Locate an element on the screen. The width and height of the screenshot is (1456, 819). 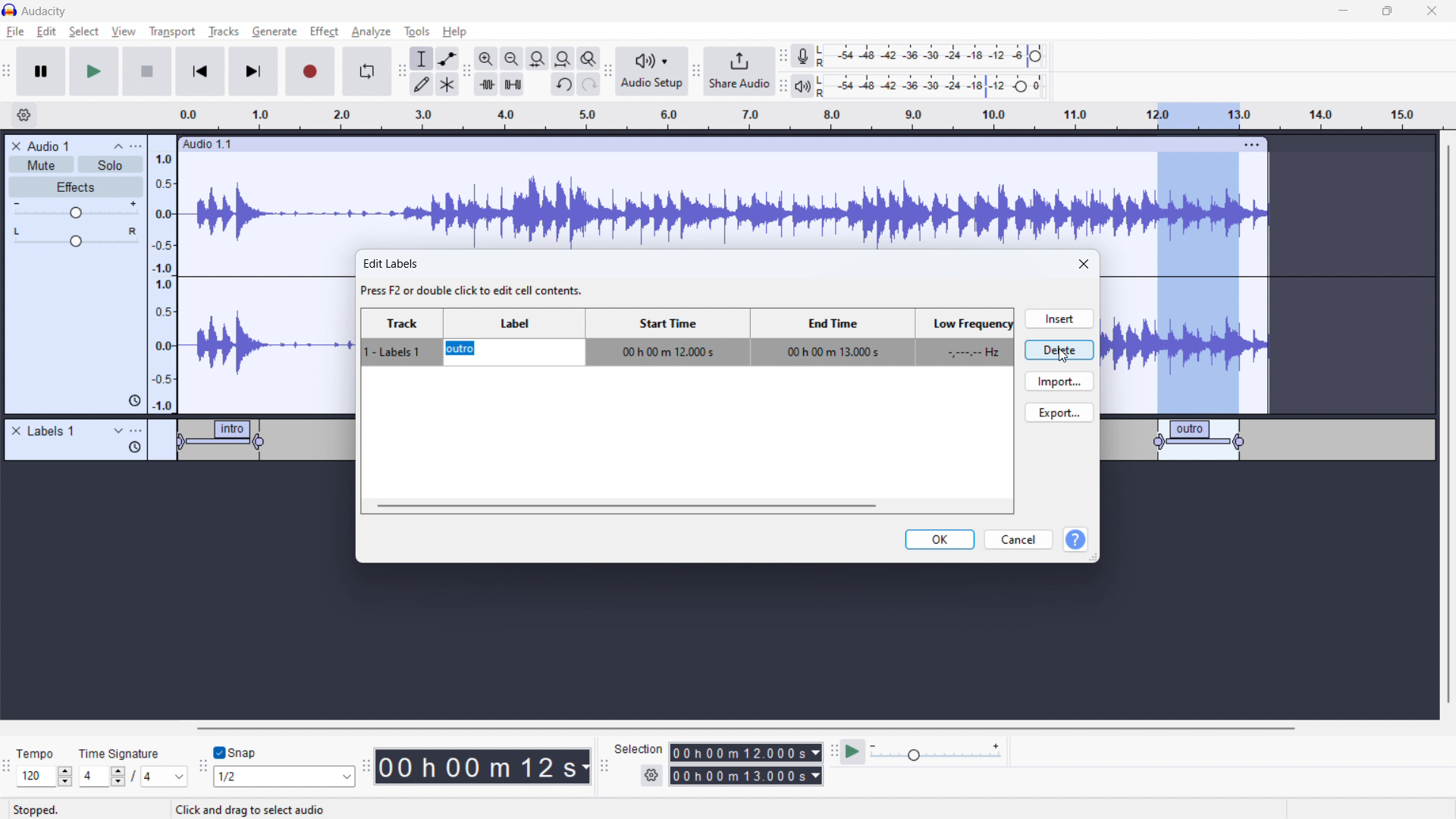
expand is located at coordinates (118, 431).